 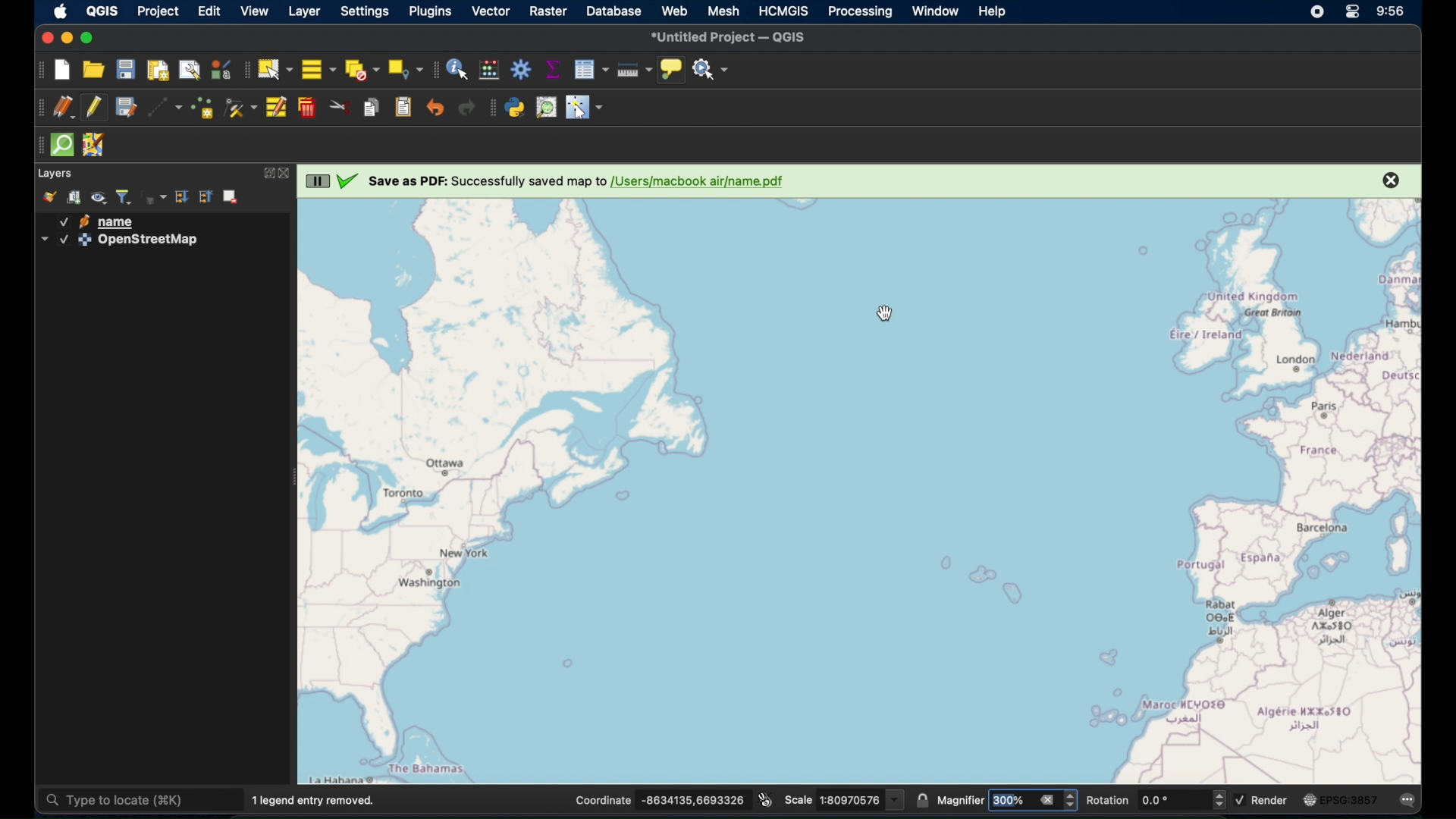 What do you see at coordinates (363, 11) in the screenshot?
I see `settings` at bounding box center [363, 11].